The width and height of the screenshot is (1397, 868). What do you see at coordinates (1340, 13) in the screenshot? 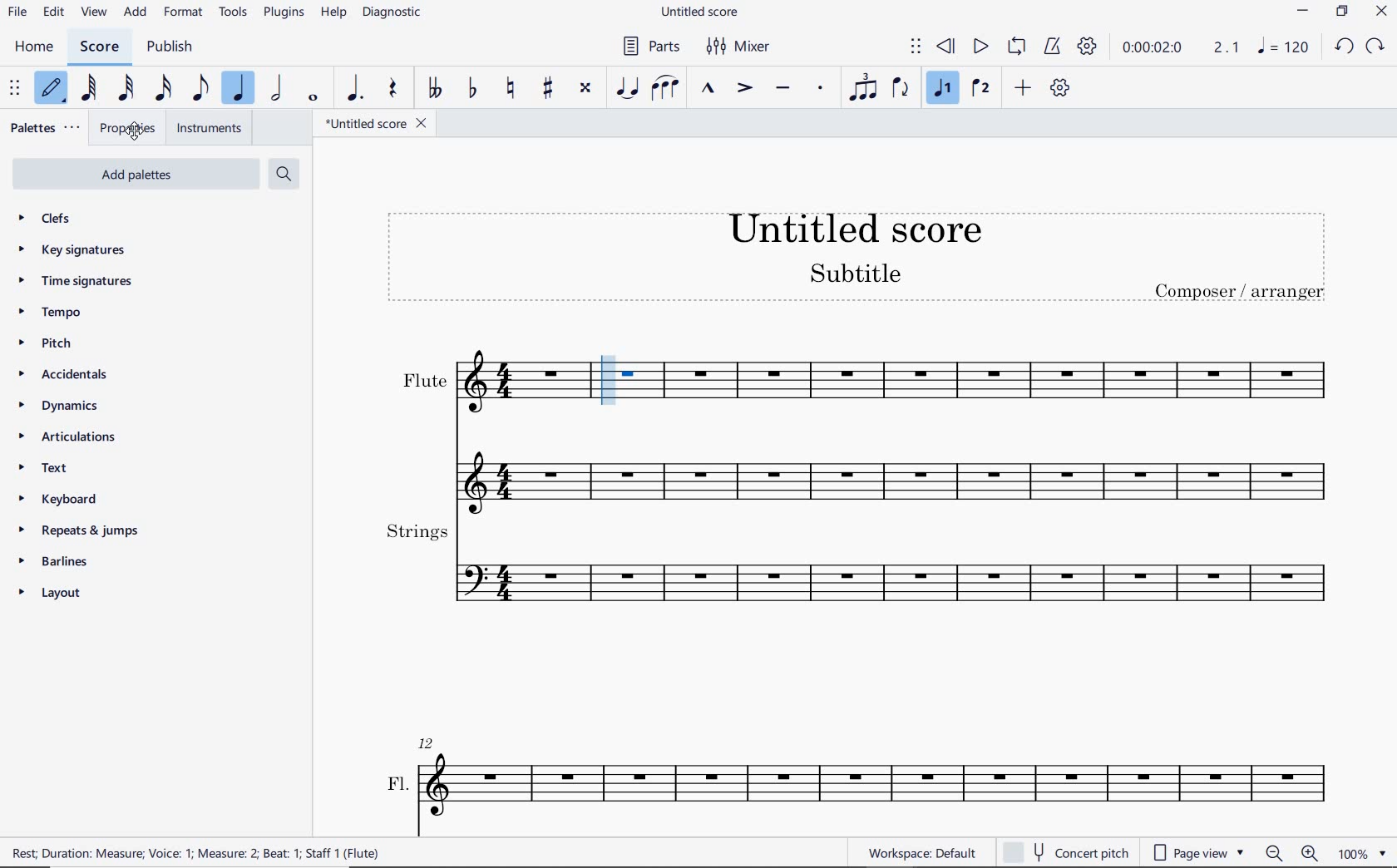
I see `restore down` at bounding box center [1340, 13].